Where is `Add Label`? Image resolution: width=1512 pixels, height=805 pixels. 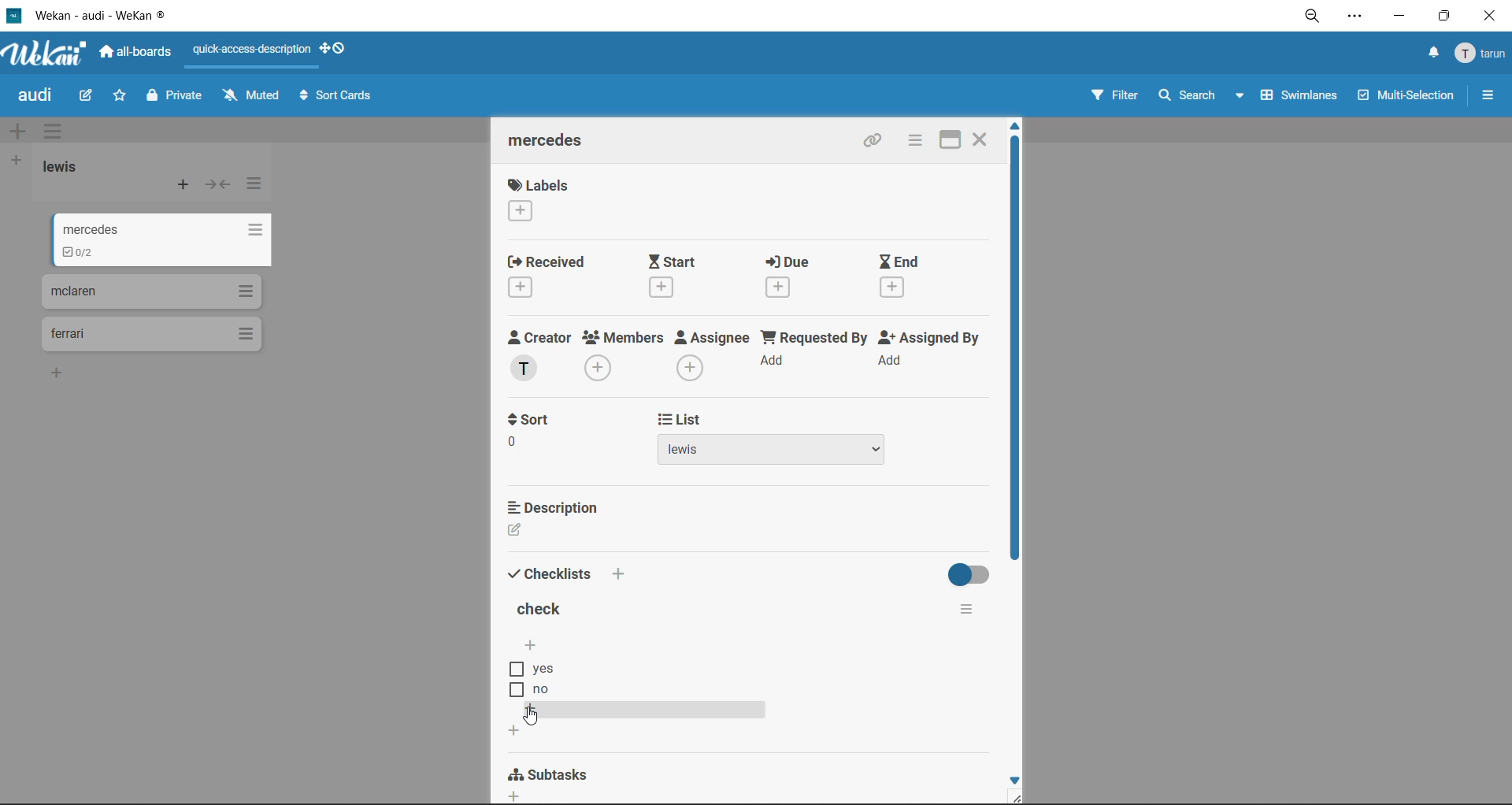 Add Label is located at coordinates (520, 212).